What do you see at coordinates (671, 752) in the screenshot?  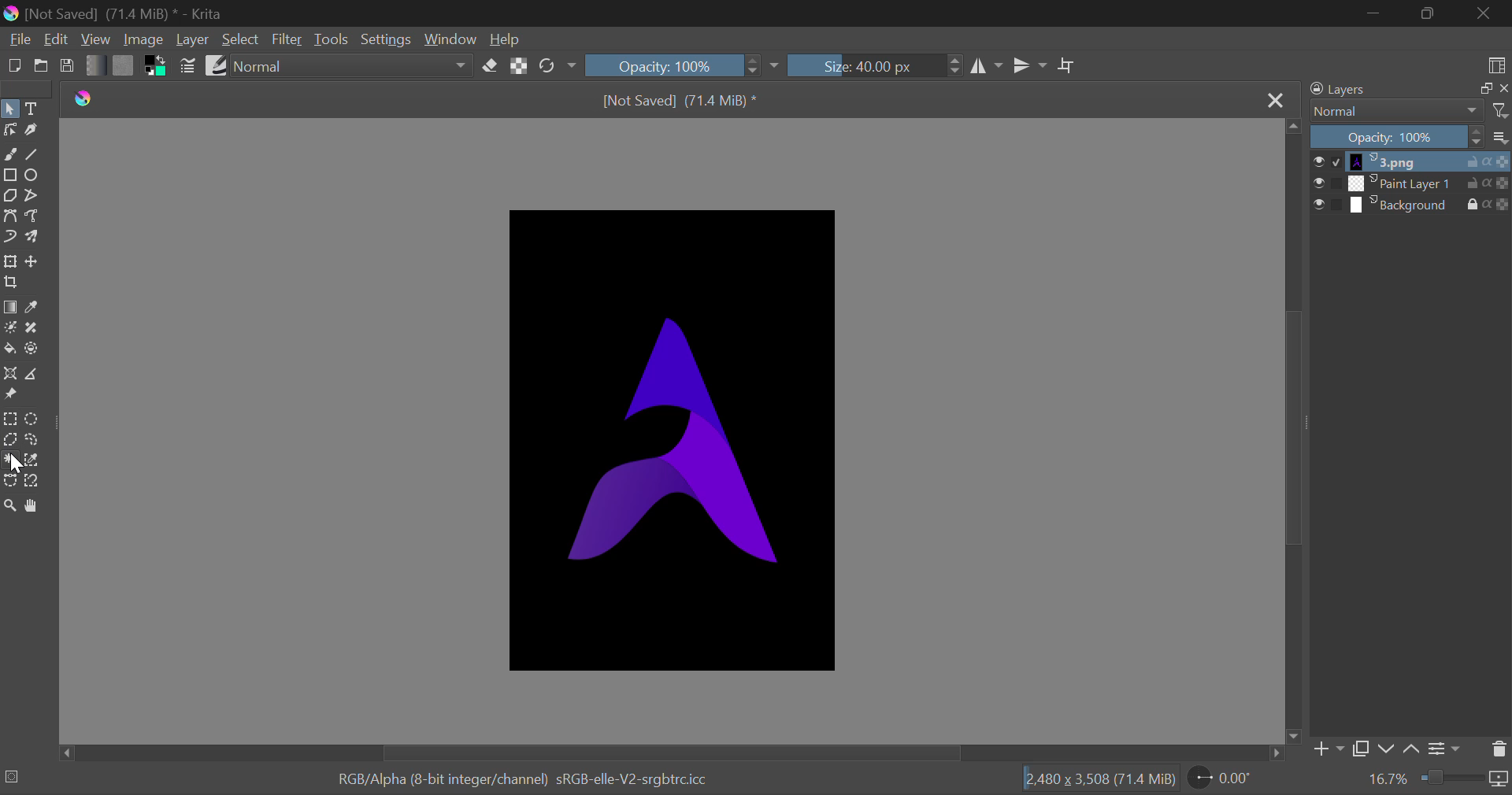 I see `Scroll Bar` at bounding box center [671, 752].